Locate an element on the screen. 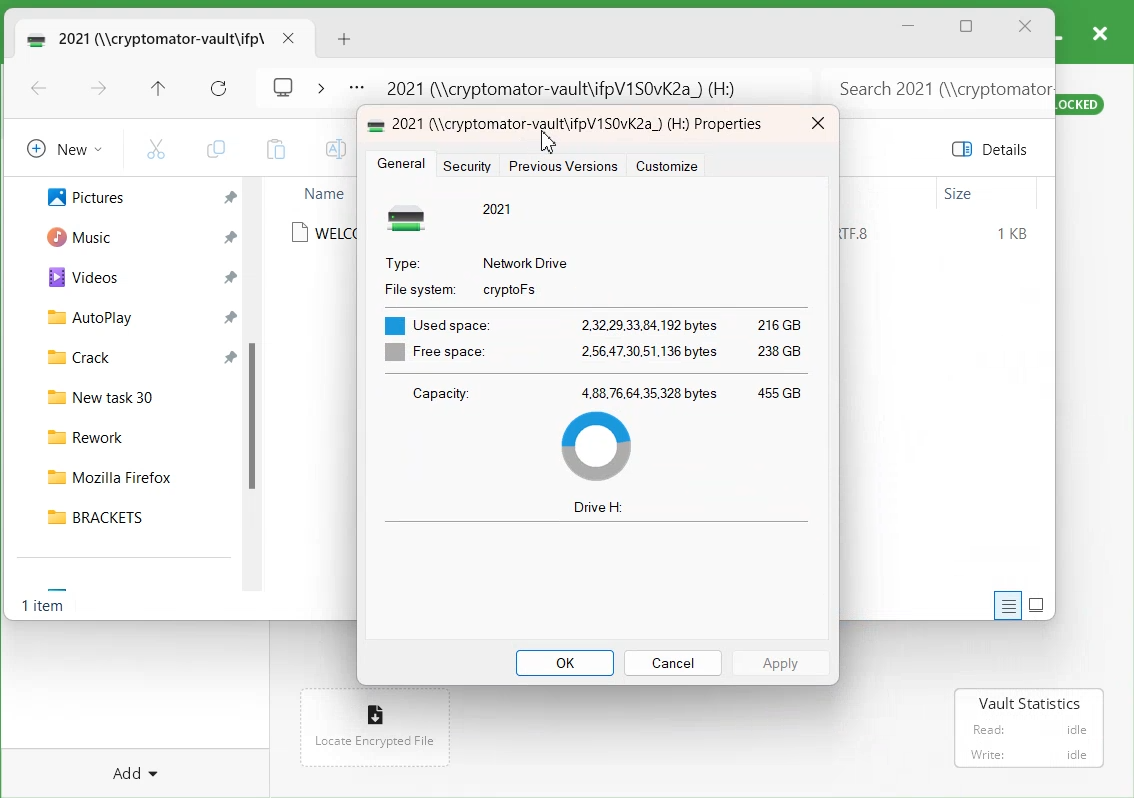 This screenshot has height=798, width=1134. Pin a file is located at coordinates (232, 277).